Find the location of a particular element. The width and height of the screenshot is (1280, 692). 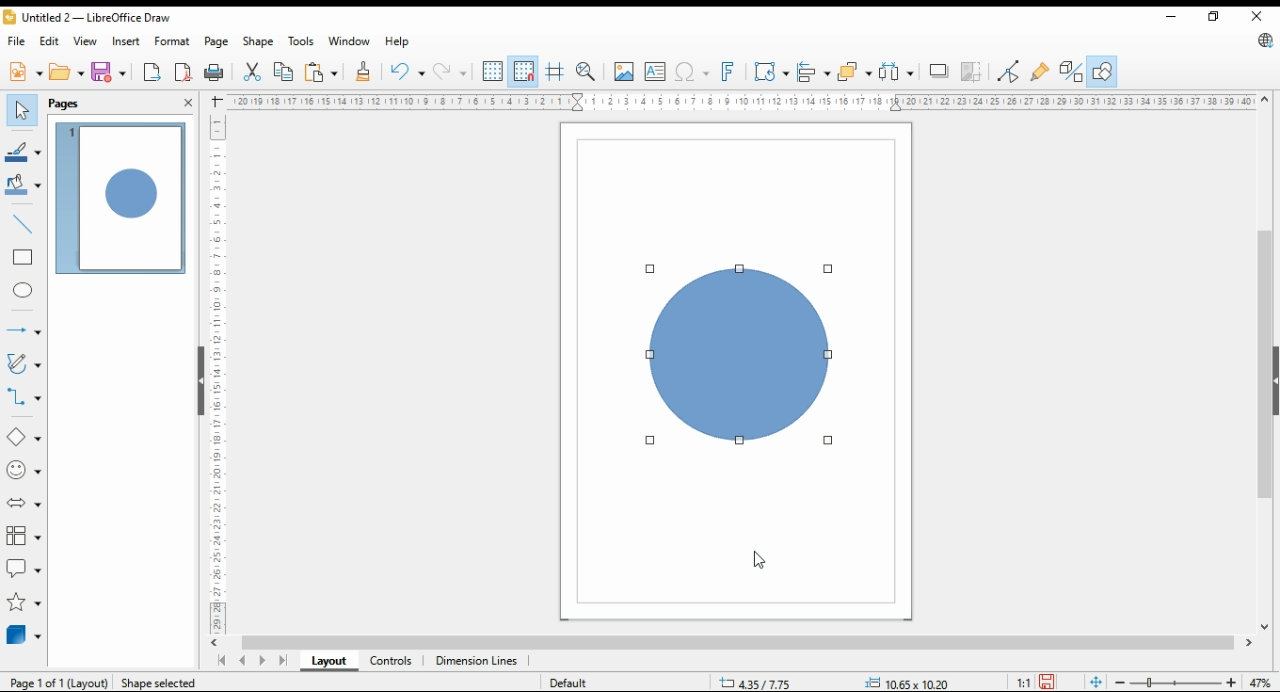

show gluepoint functions is located at coordinates (1043, 70).